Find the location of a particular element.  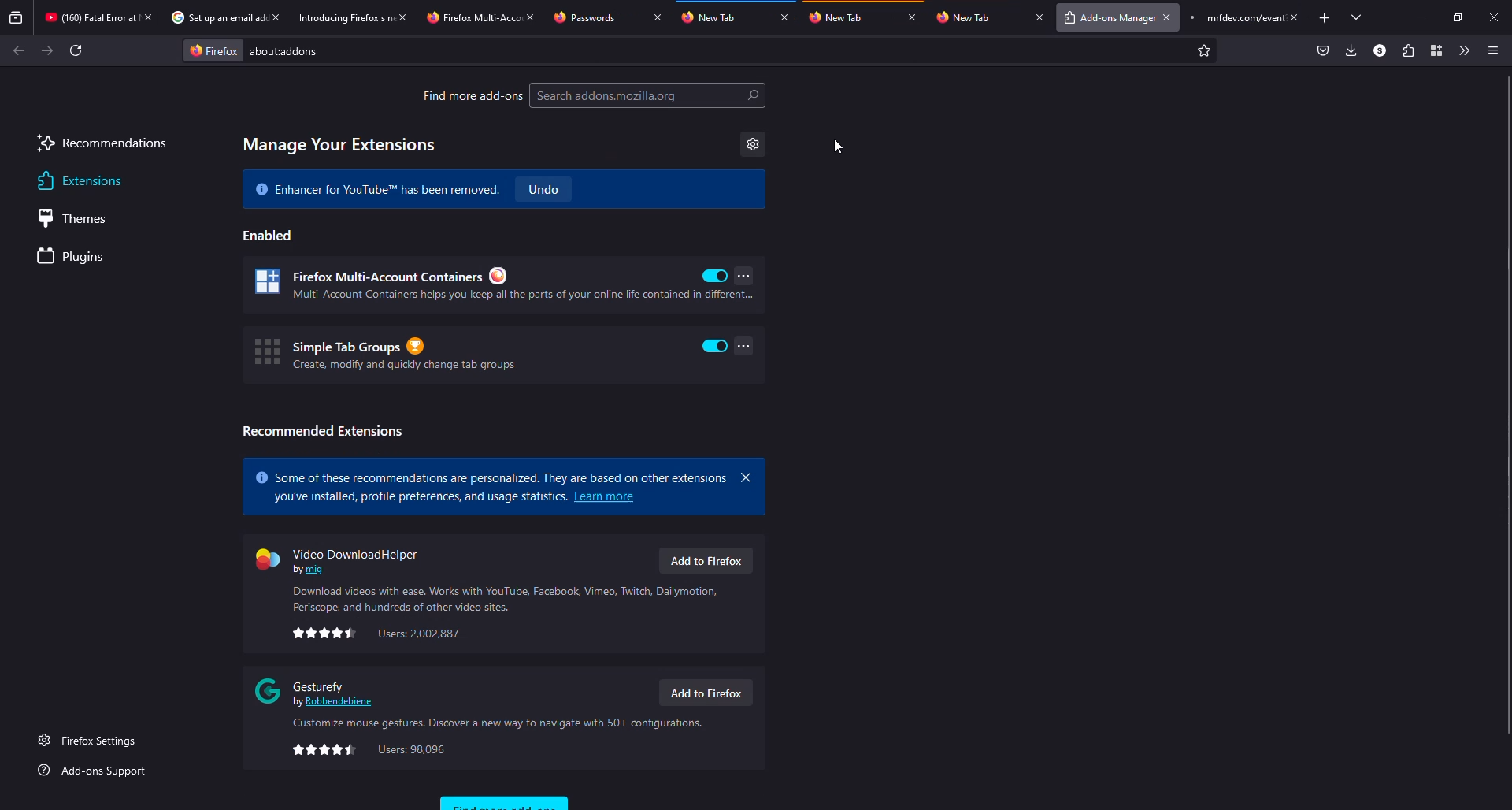

tab is located at coordinates (843, 17).